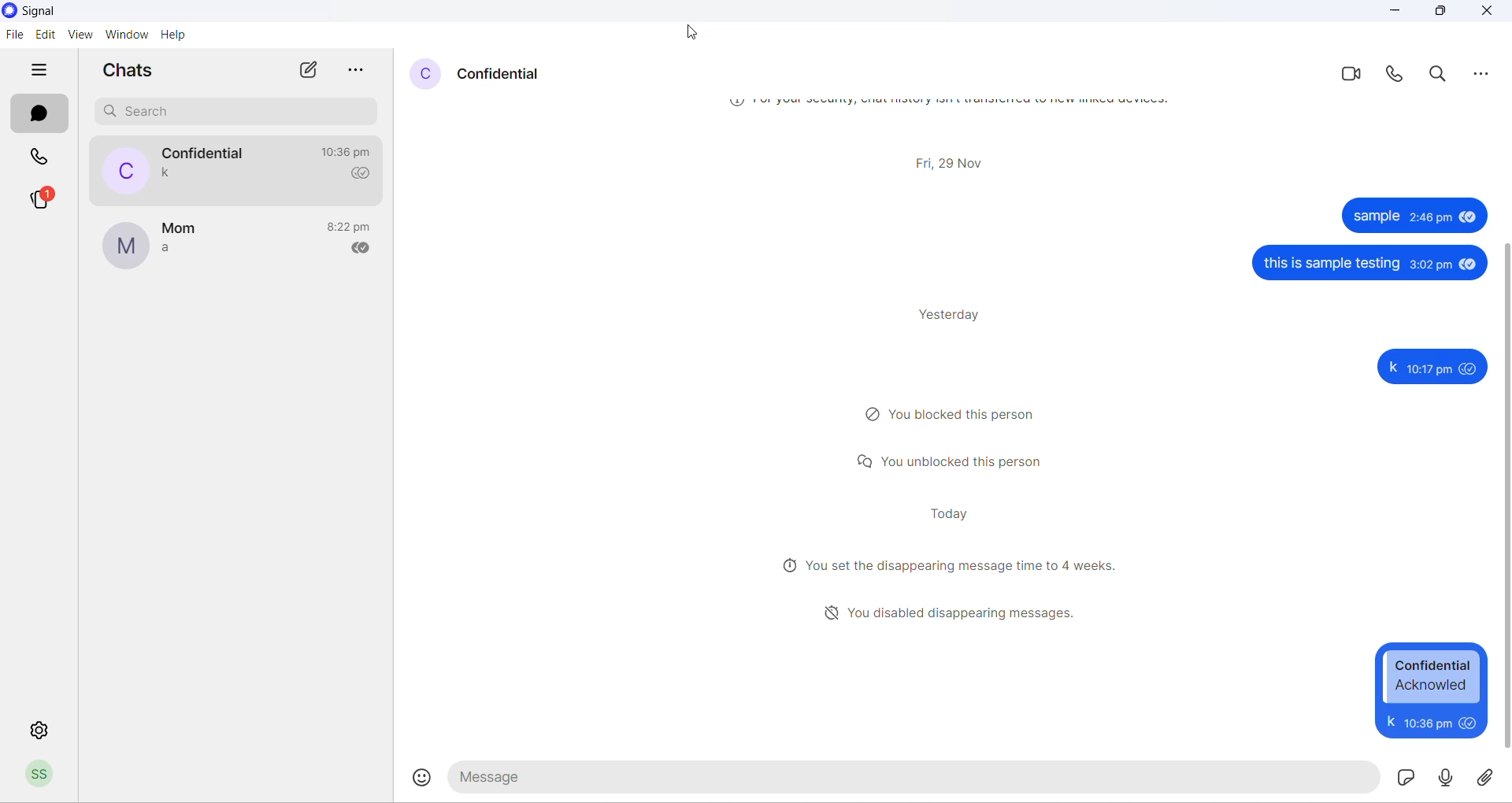 This screenshot has height=803, width=1512. What do you see at coordinates (176, 38) in the screenshot?
I see `help` at bounding box center [176, 38].